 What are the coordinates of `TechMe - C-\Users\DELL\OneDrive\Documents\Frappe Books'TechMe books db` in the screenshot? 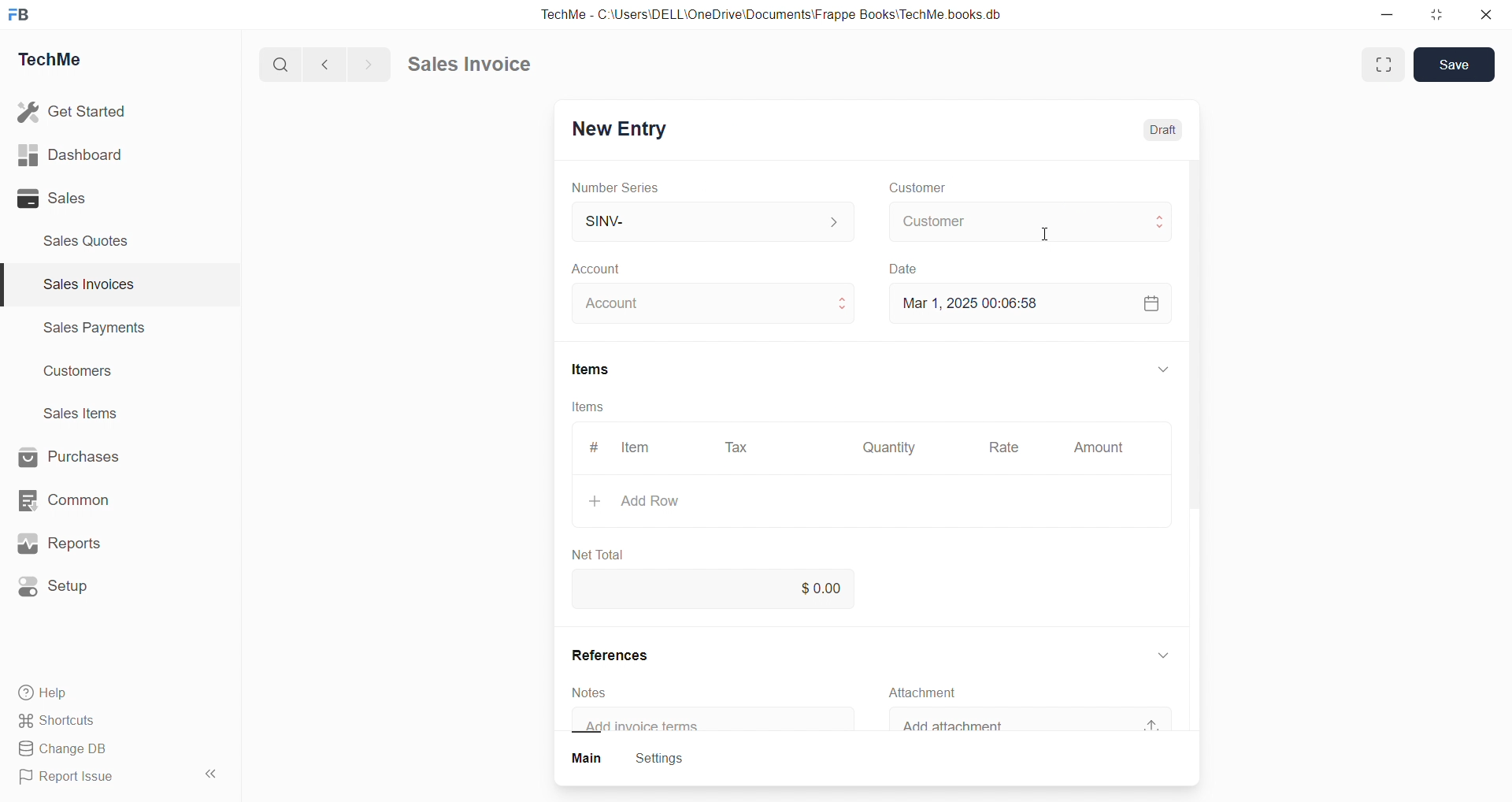 It's located at (787, 12).